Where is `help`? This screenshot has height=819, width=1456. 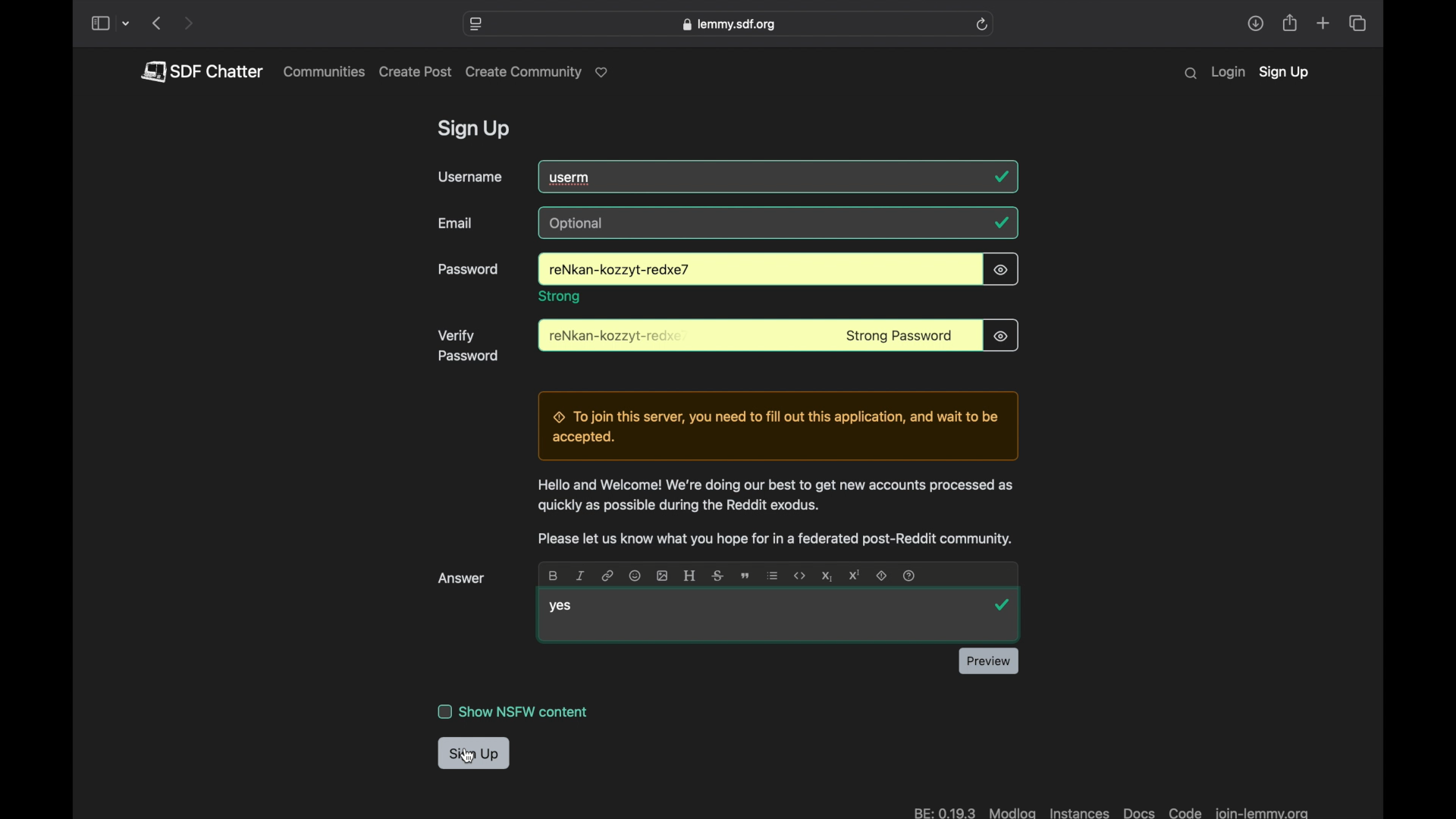
help is located at coordinates (910, 576).